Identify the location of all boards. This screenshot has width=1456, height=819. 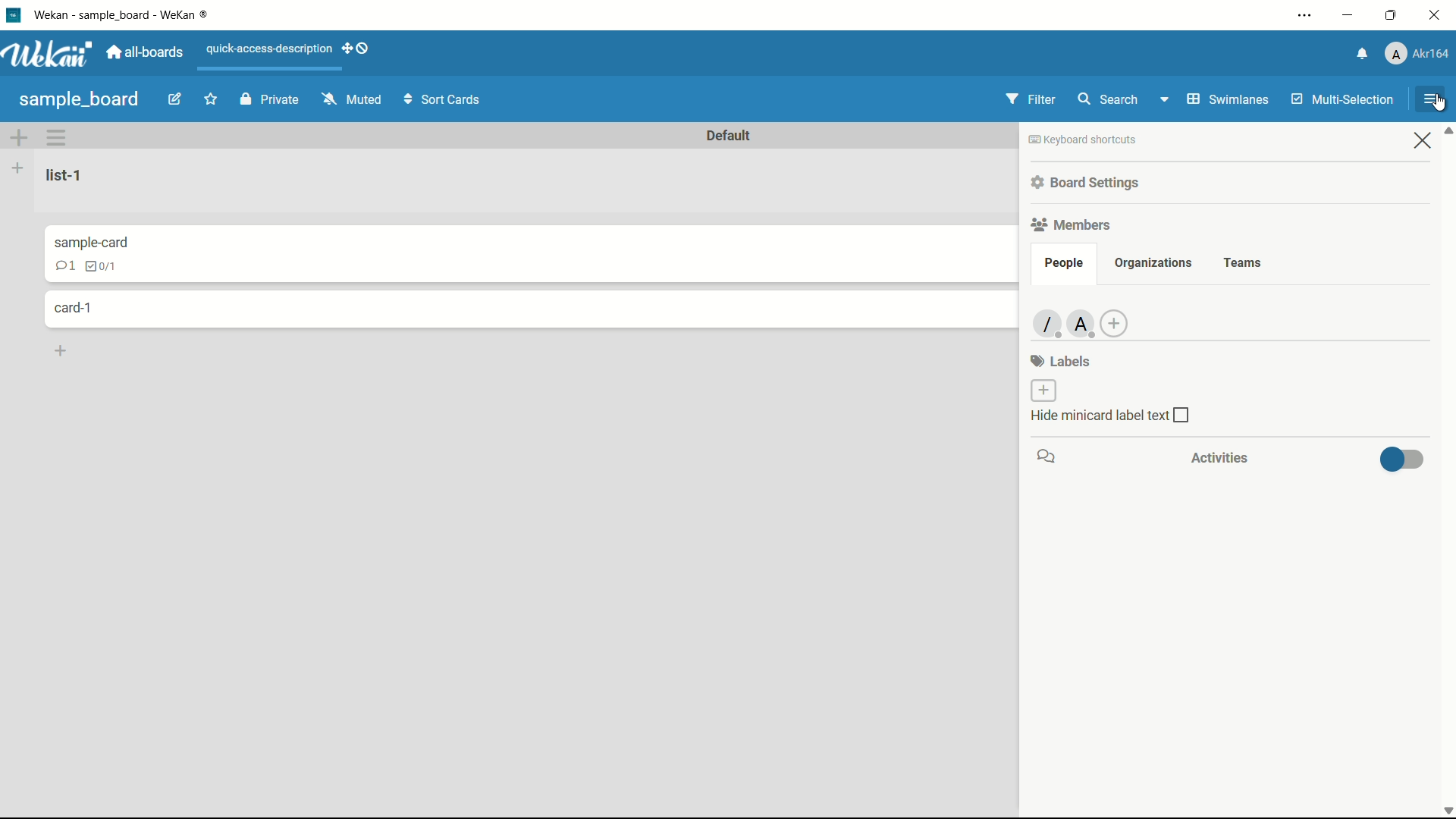
(144, 52).